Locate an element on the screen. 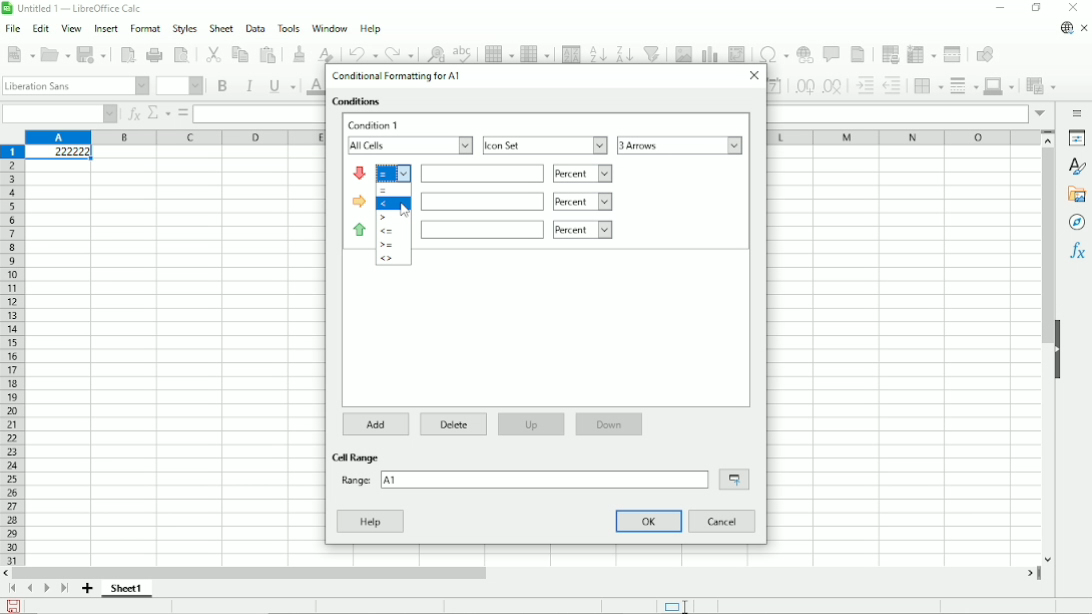 This screenshot has height=614, width=1092. = is located at coordinates (385, 190).